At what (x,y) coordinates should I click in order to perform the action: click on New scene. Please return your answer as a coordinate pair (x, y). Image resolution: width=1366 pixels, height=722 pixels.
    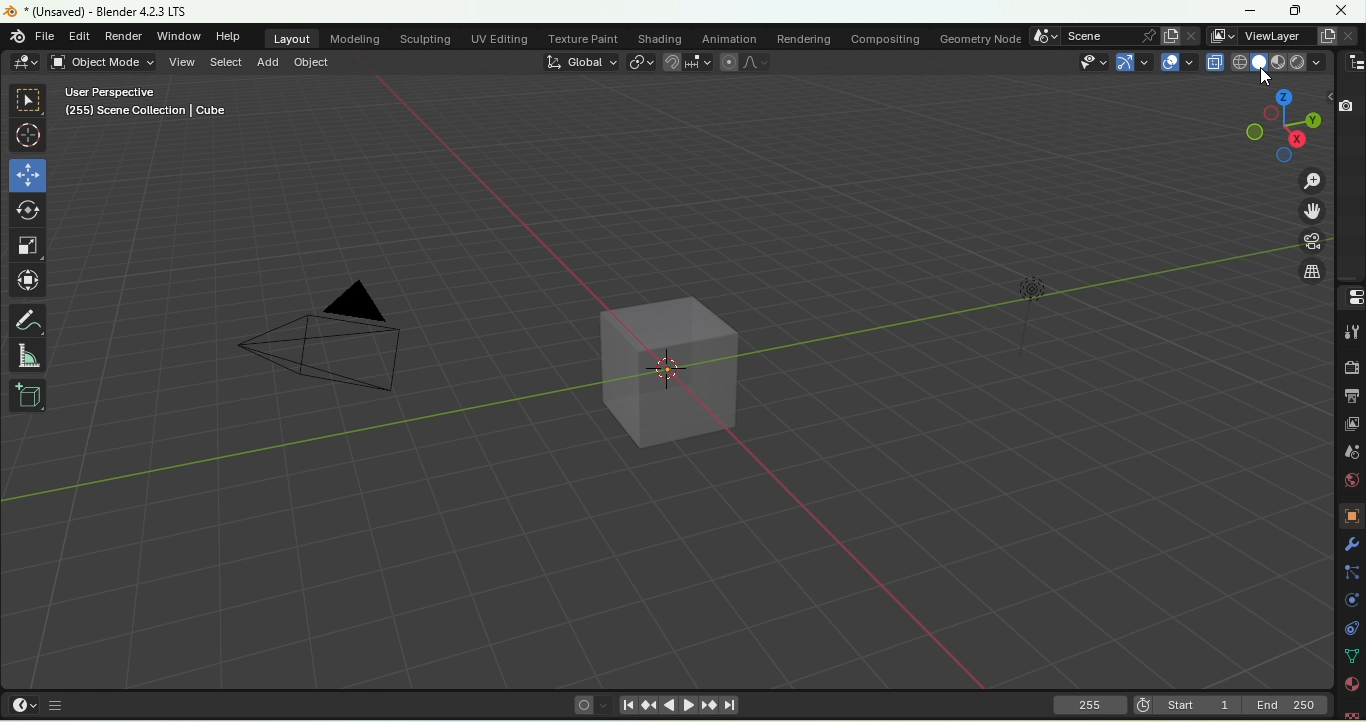
    Looking at the image, I should click on (1169, 35).